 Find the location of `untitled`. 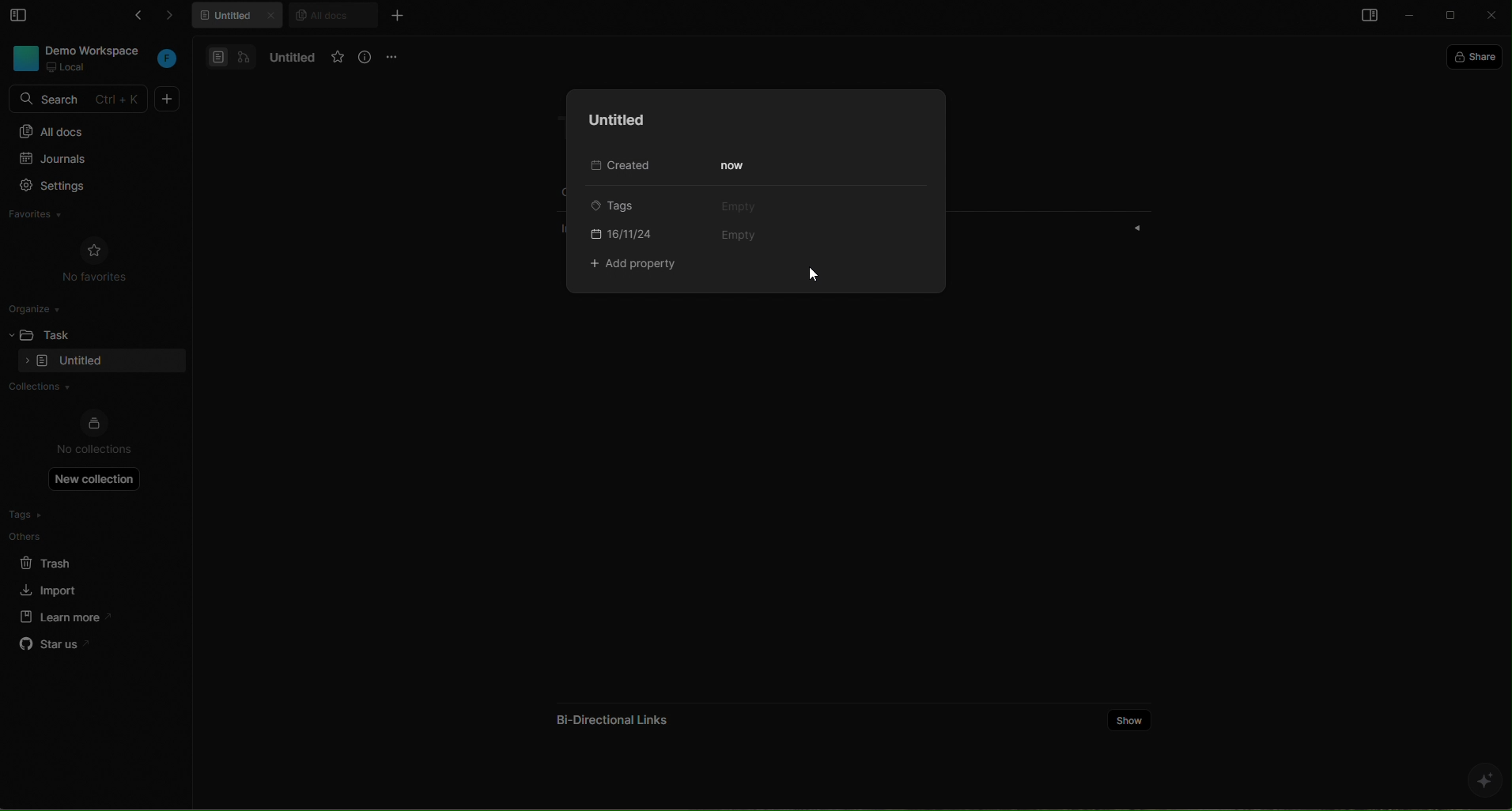

untitled is located at coordinates (612, 120).